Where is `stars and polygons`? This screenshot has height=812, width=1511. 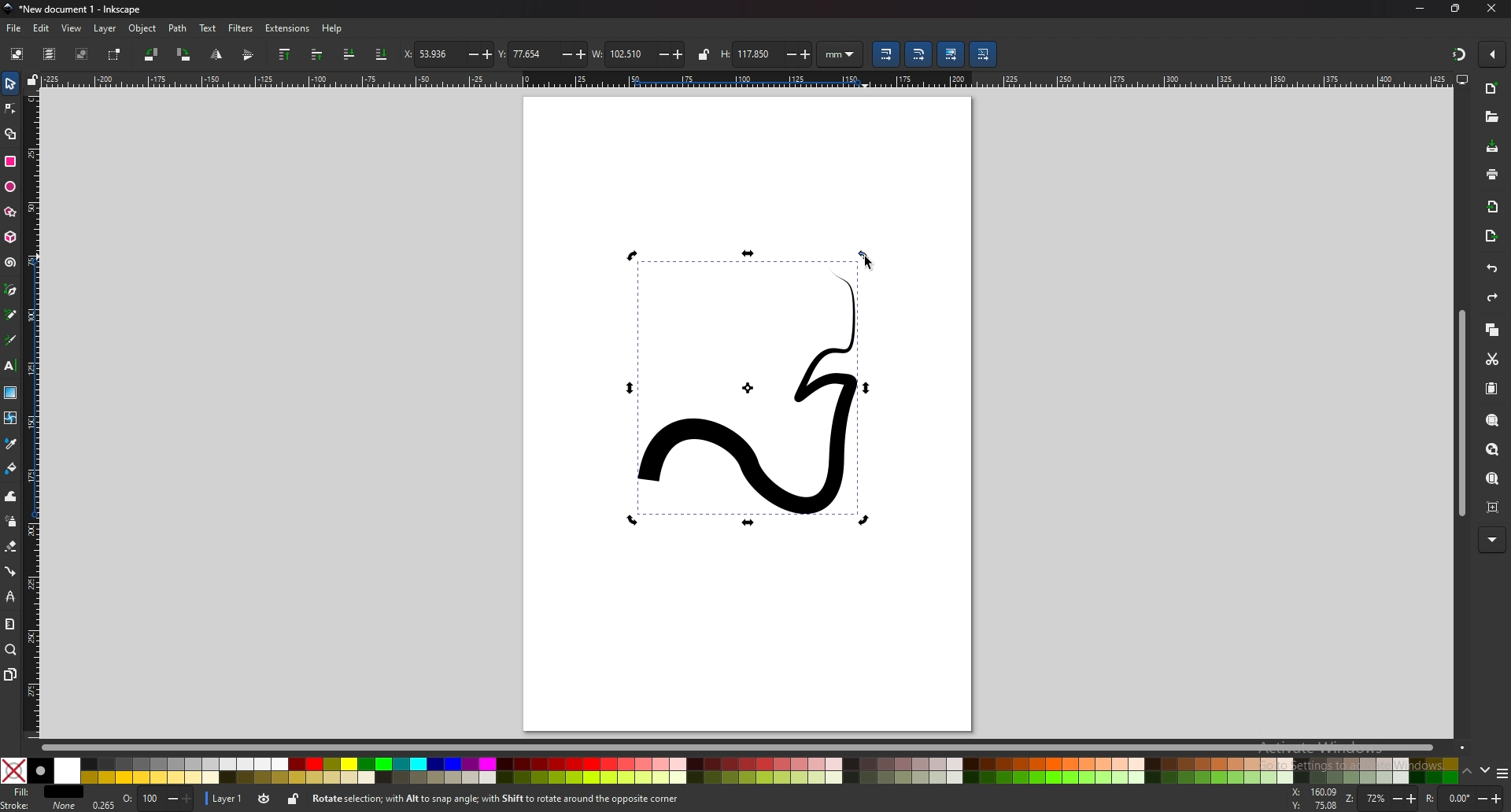 stars and polygons is located at coordinates (10, 212).